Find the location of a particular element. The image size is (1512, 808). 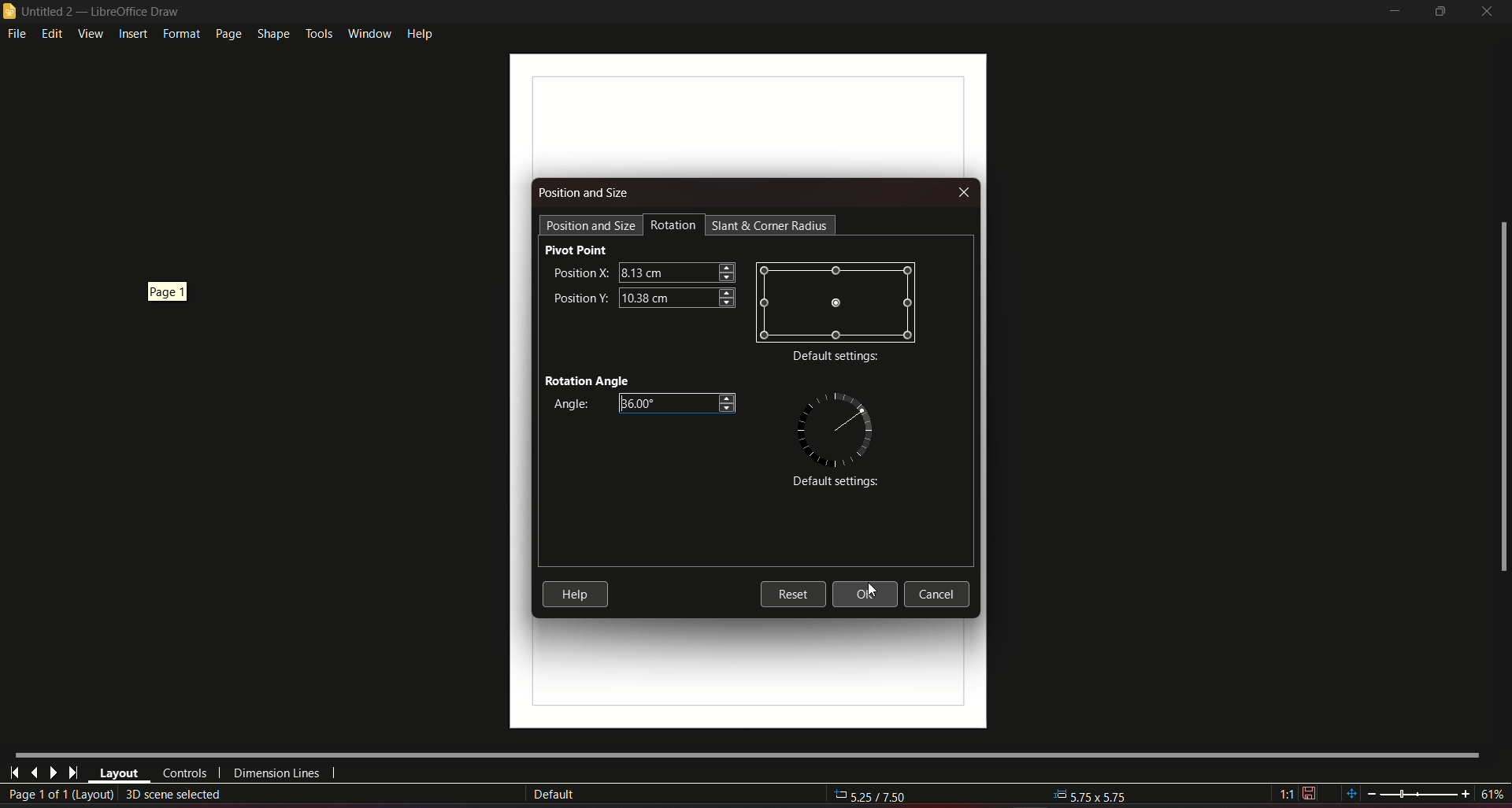

minimize/maximize is located at coordinates (1440, 12).